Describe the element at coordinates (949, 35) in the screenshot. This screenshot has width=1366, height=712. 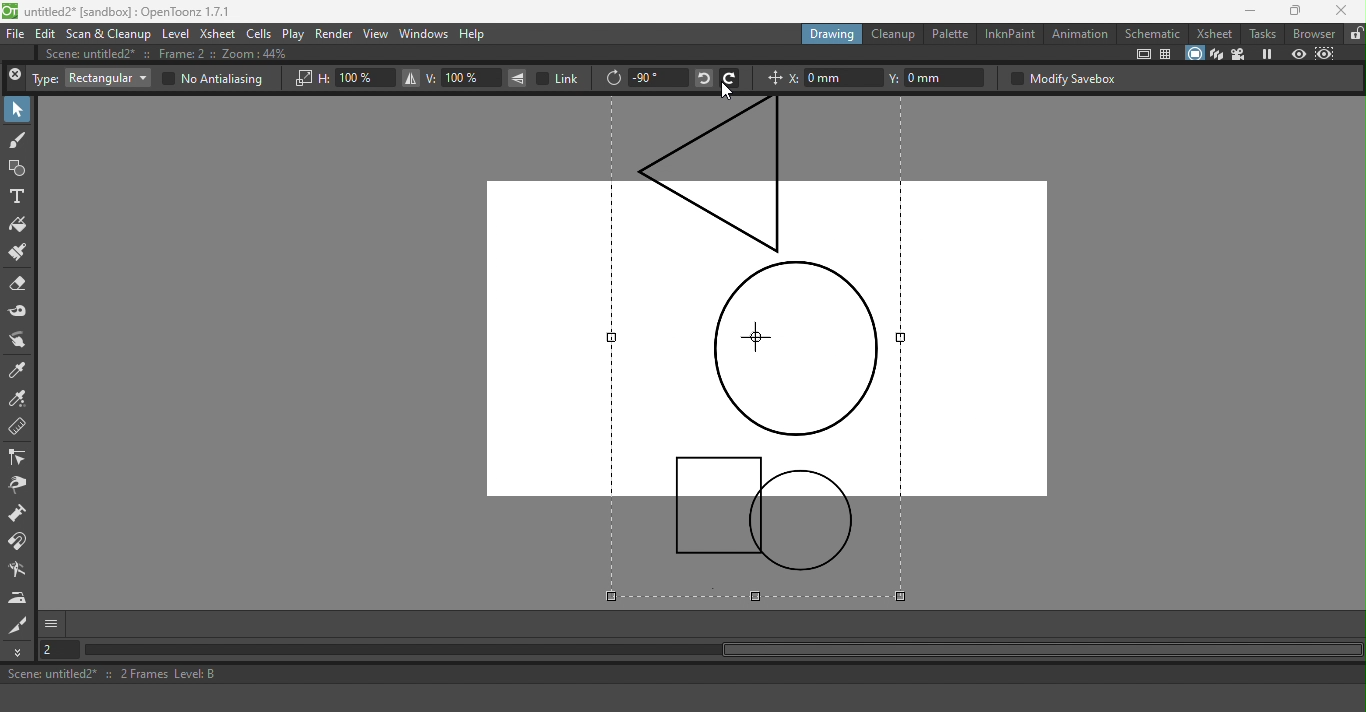
I see `Palette` at that location.